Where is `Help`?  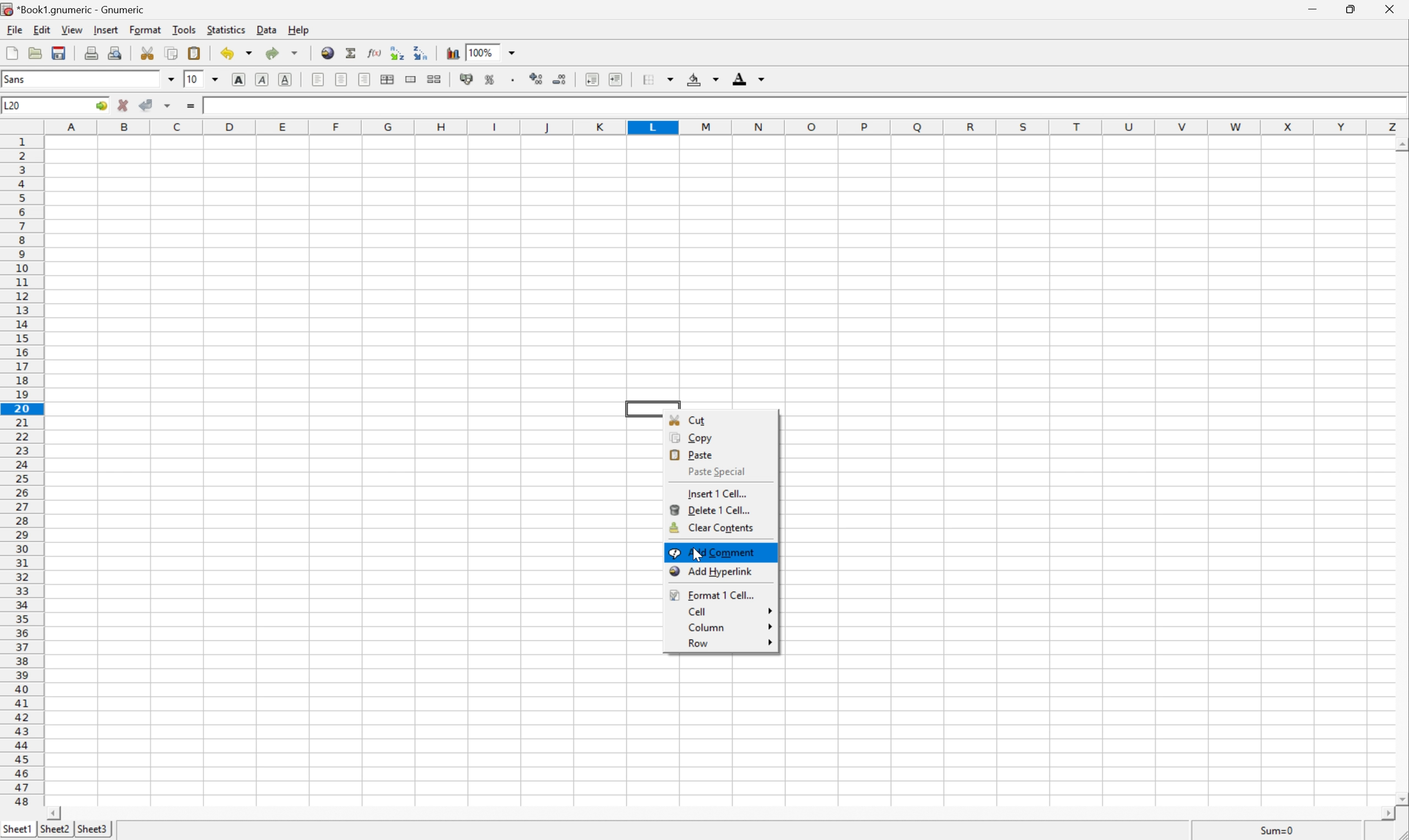 Help is located at coordinates (298, 30).